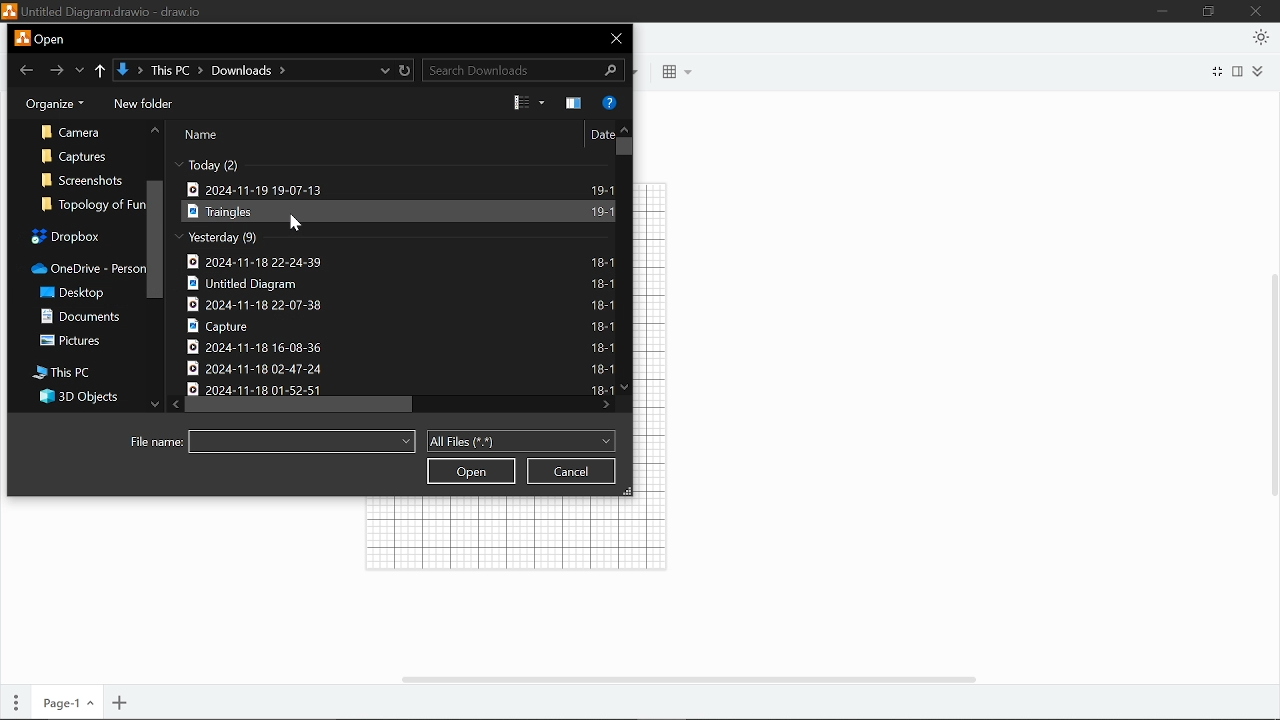  I want to click on Name, so click(203, 135).